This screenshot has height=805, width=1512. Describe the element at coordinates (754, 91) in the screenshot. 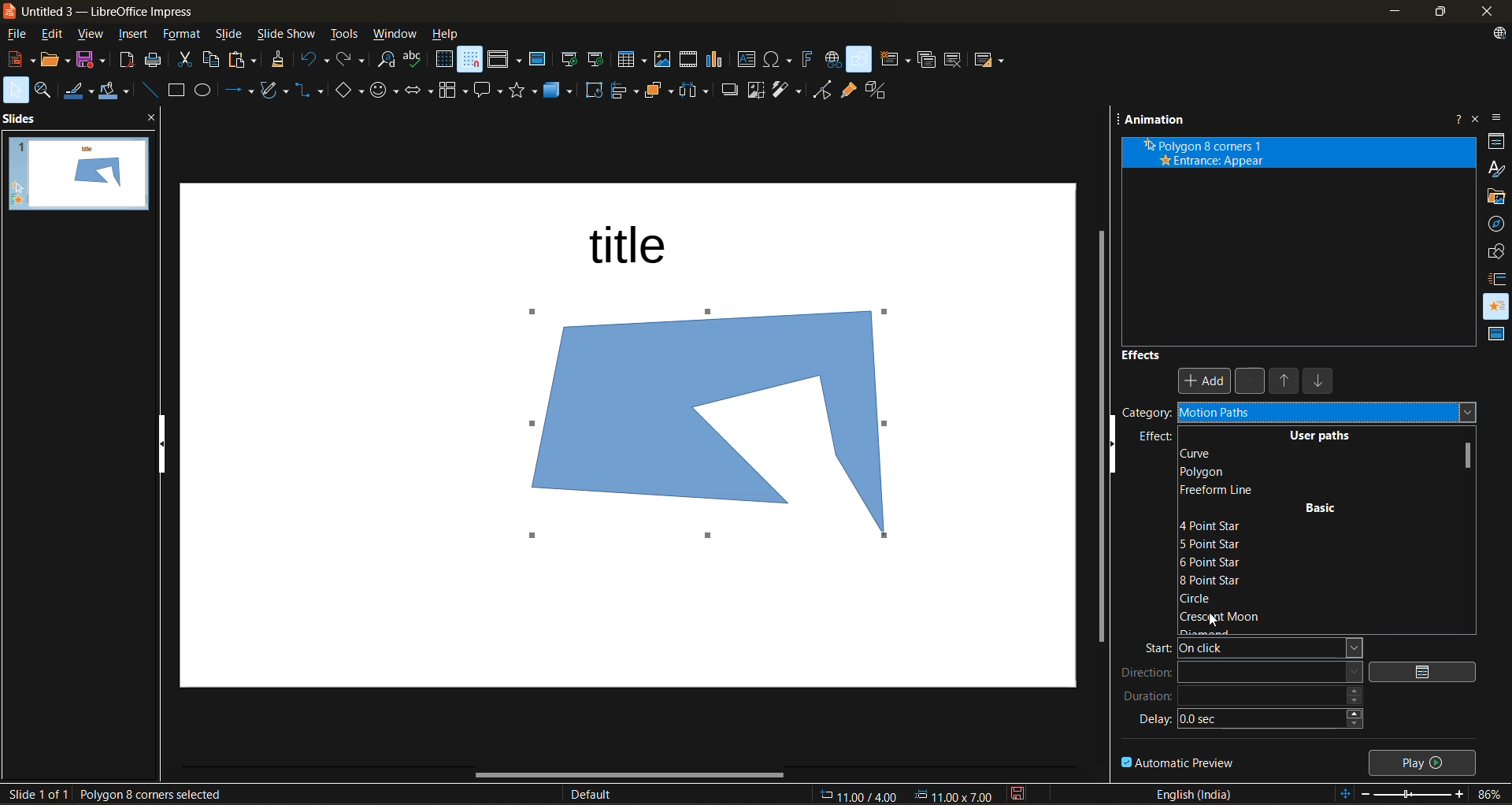

I see `crop image` at that location.